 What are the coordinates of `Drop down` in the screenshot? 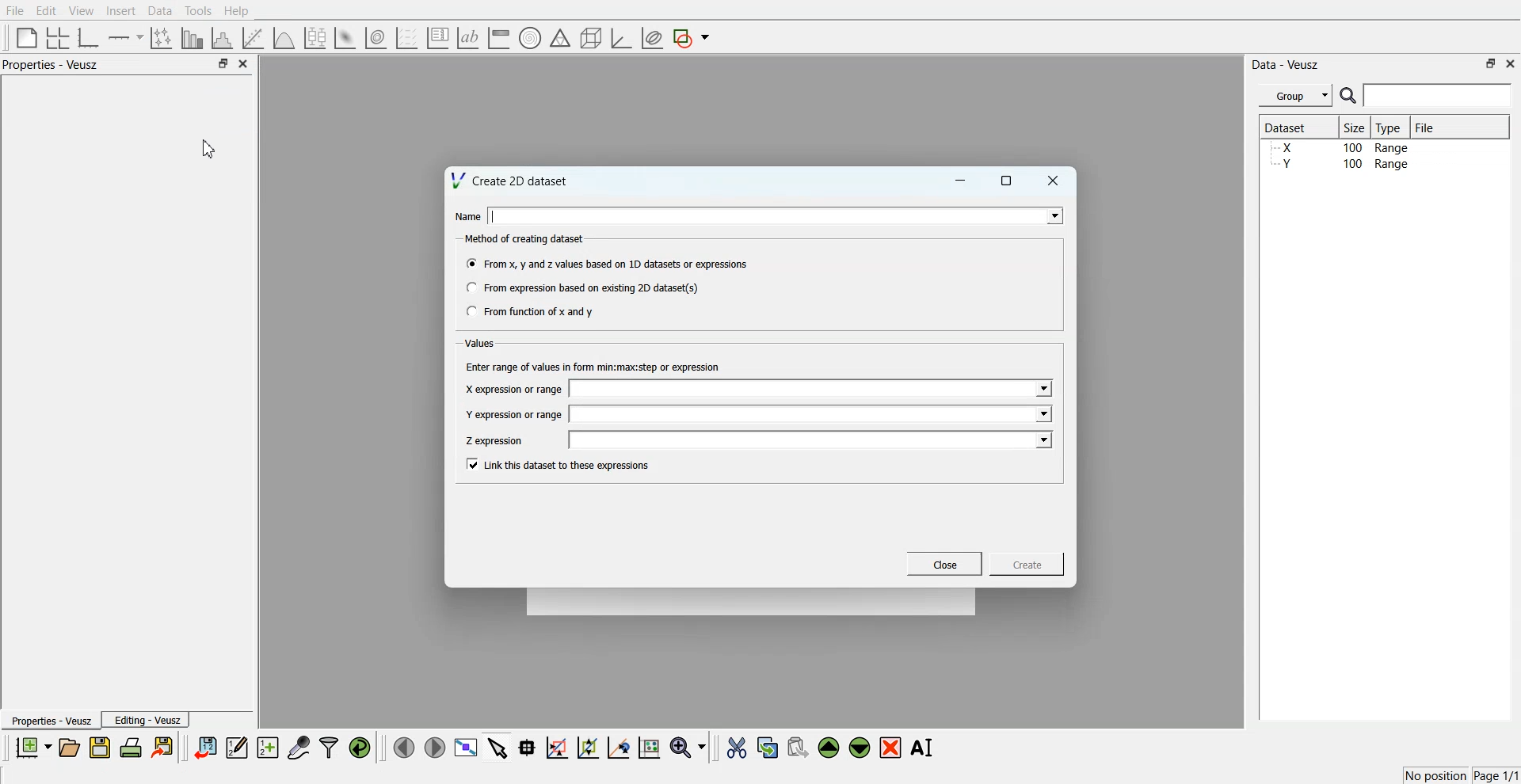 It's located at (1051, 215).